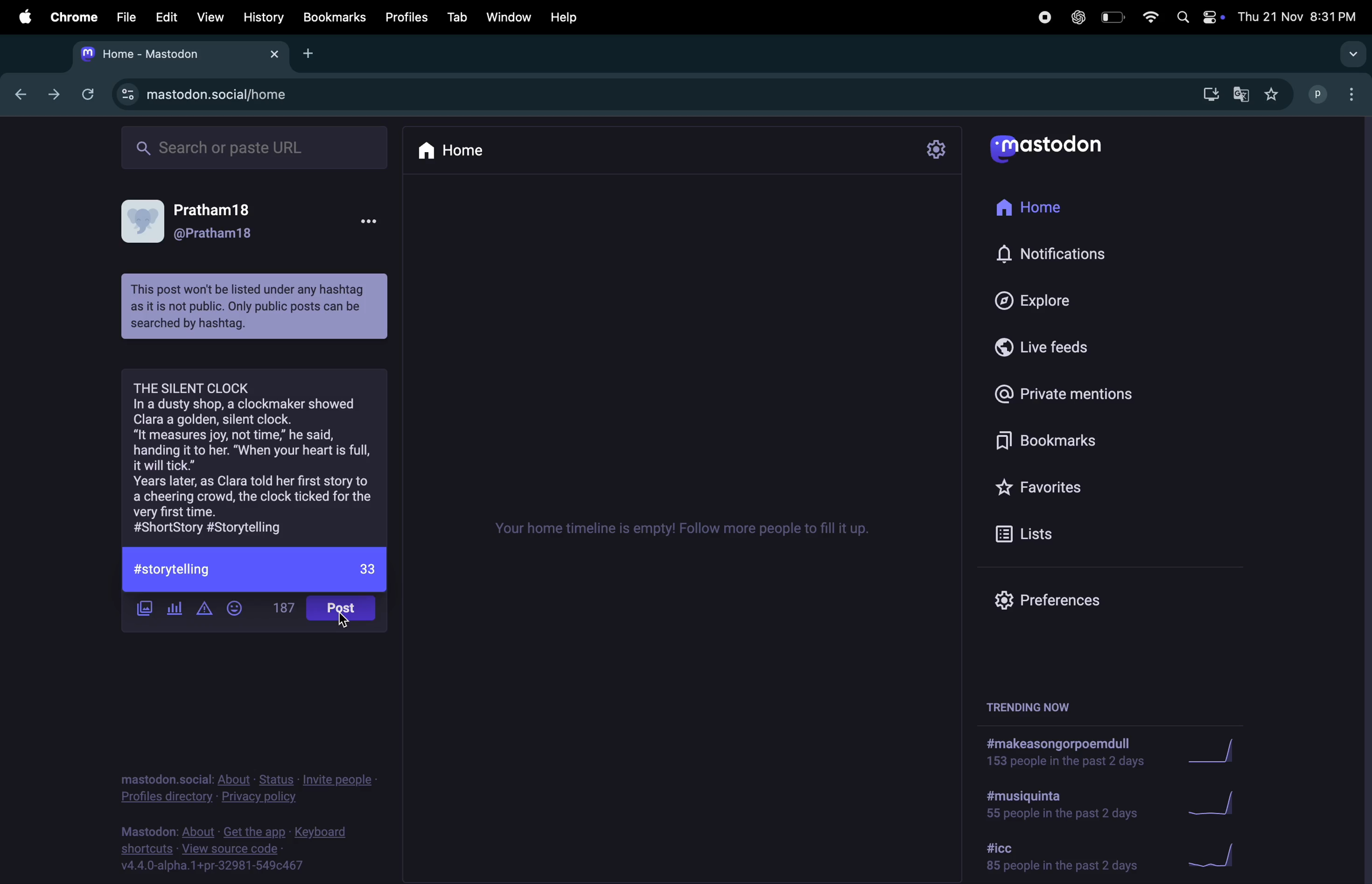 The width and height of the screenshot is (1372, 884). I want to click on username, so click(1319, 95).